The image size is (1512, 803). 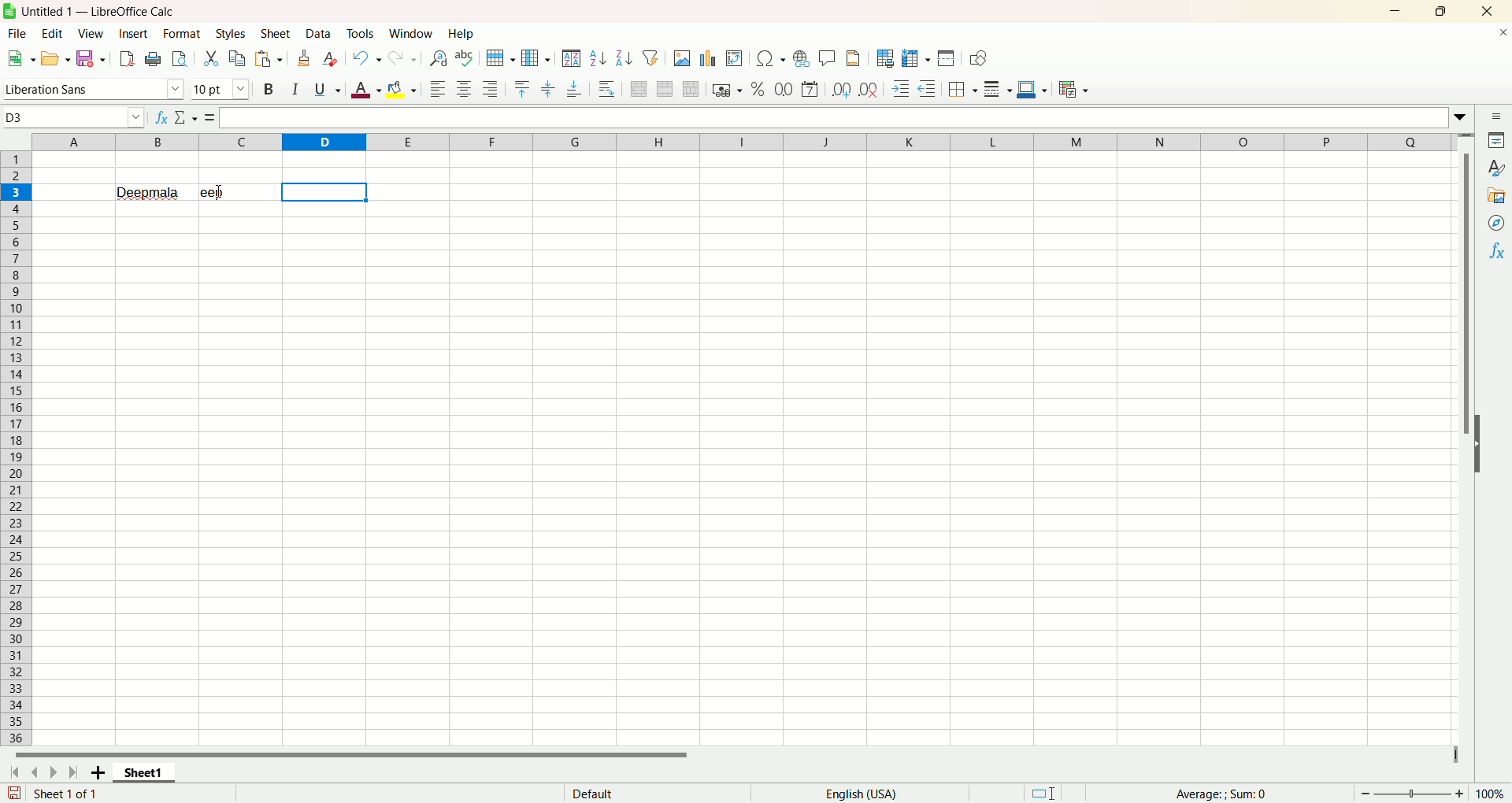 I want to click on Cut, so click(x=212, y=59).